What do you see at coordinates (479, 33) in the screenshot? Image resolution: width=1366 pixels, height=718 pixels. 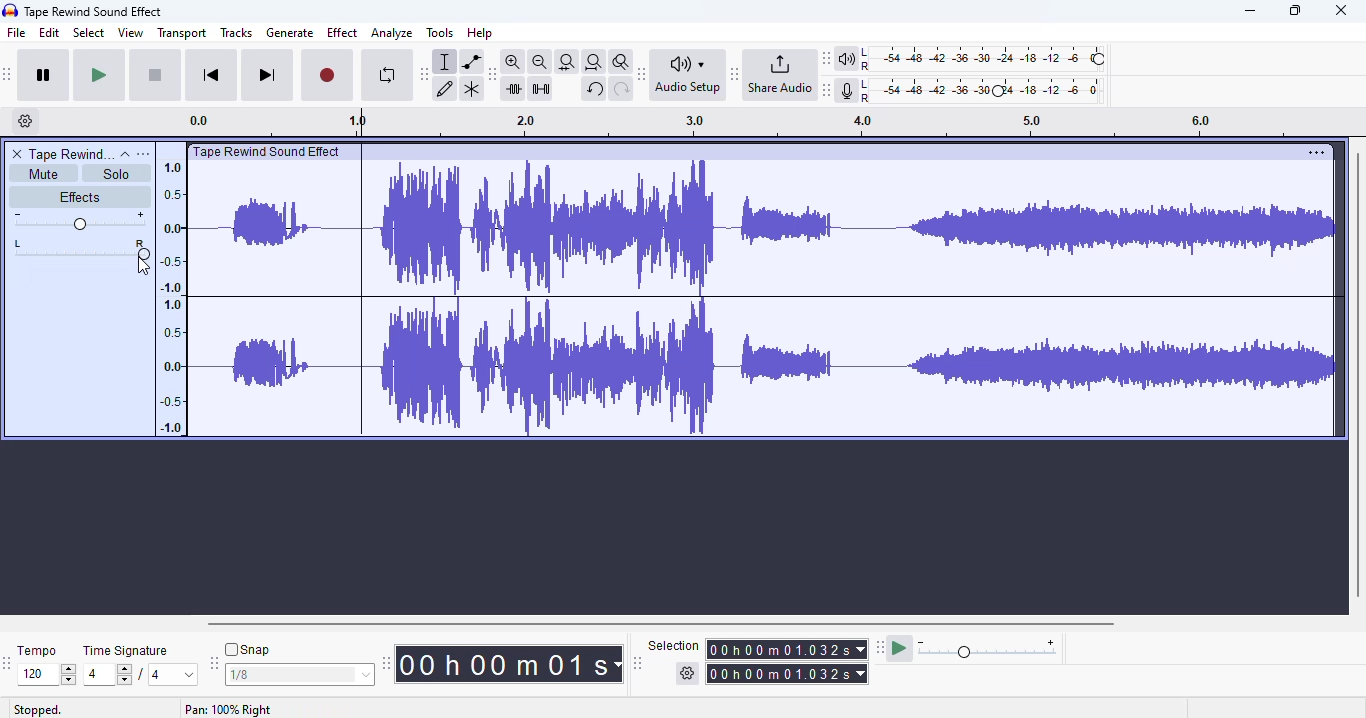 I see `help` at bounding box center [479, 33].